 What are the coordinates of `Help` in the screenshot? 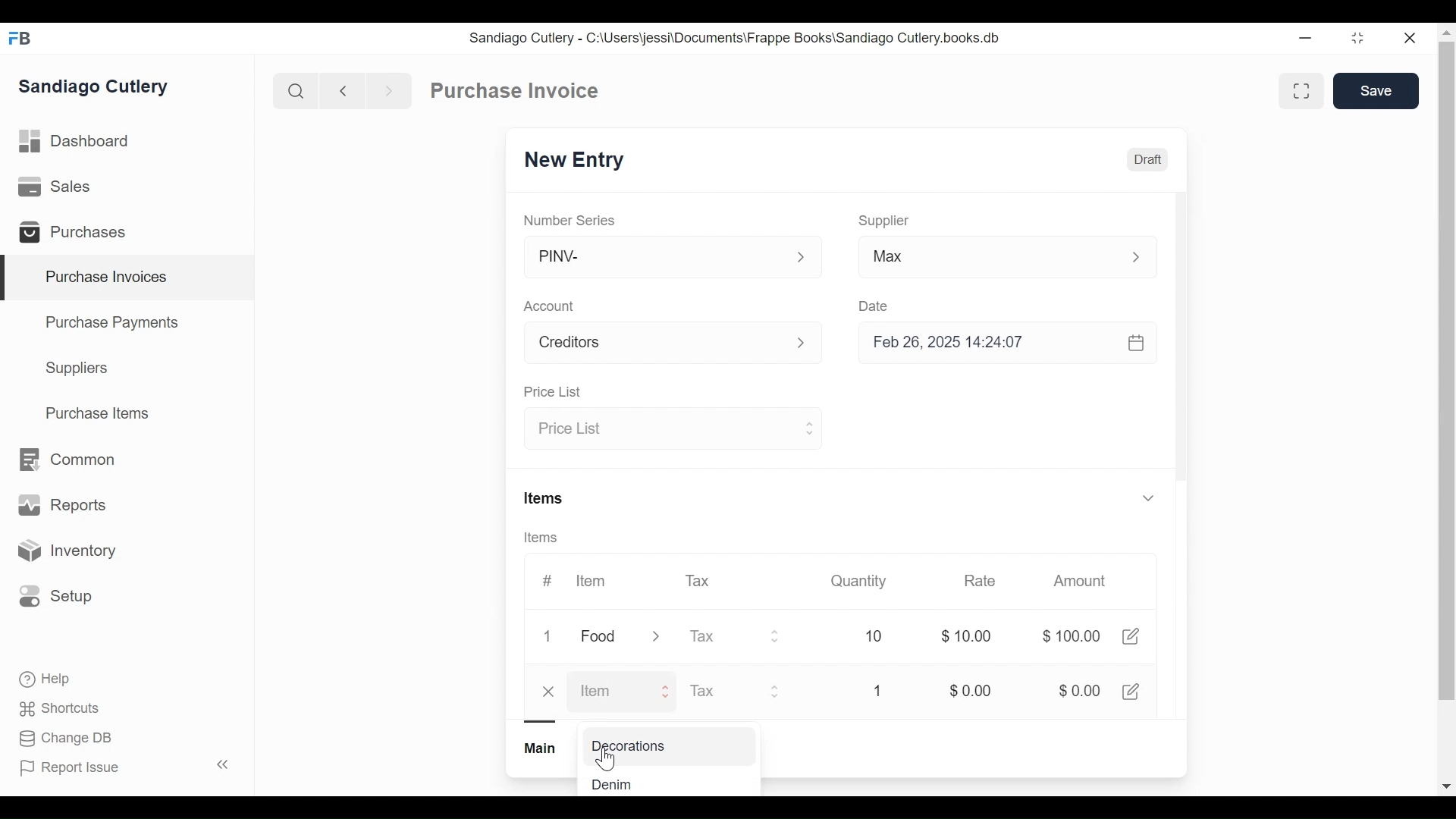 It's located at (46, 679).